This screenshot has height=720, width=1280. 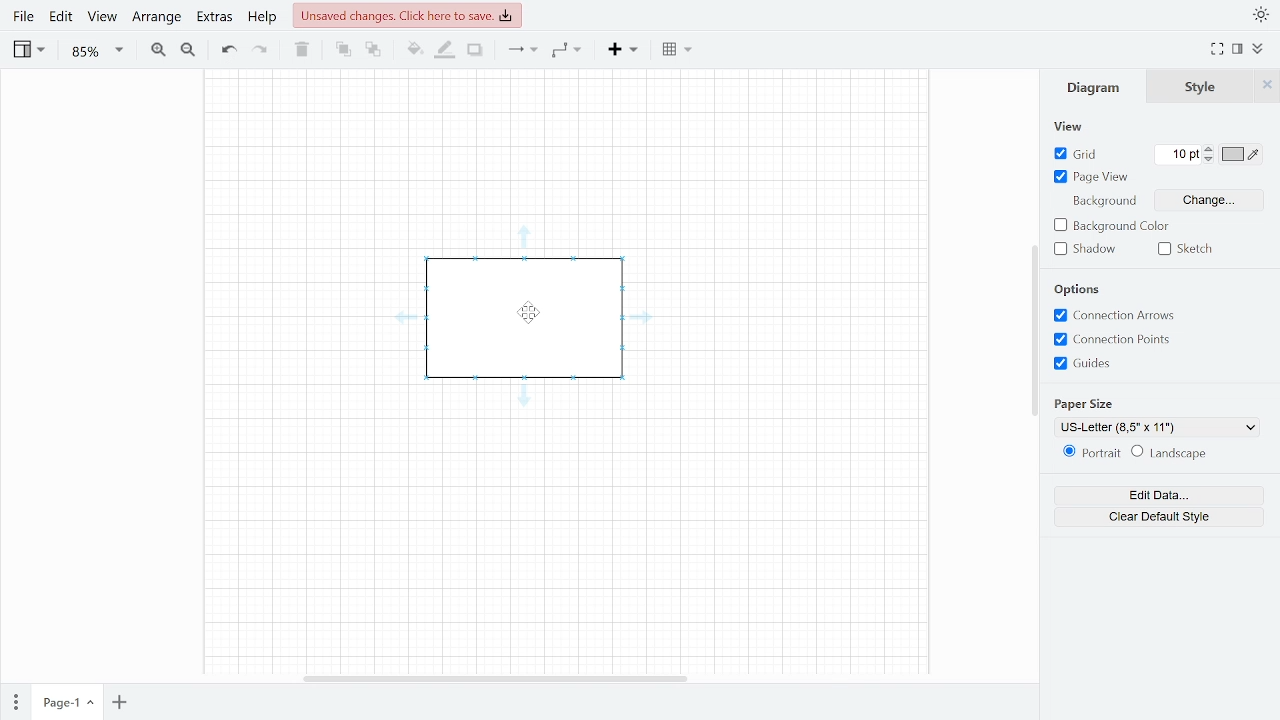 What do you see at coordinates (102, 20) in the screenshot?
I see `View` at bounding box center [102, 20].